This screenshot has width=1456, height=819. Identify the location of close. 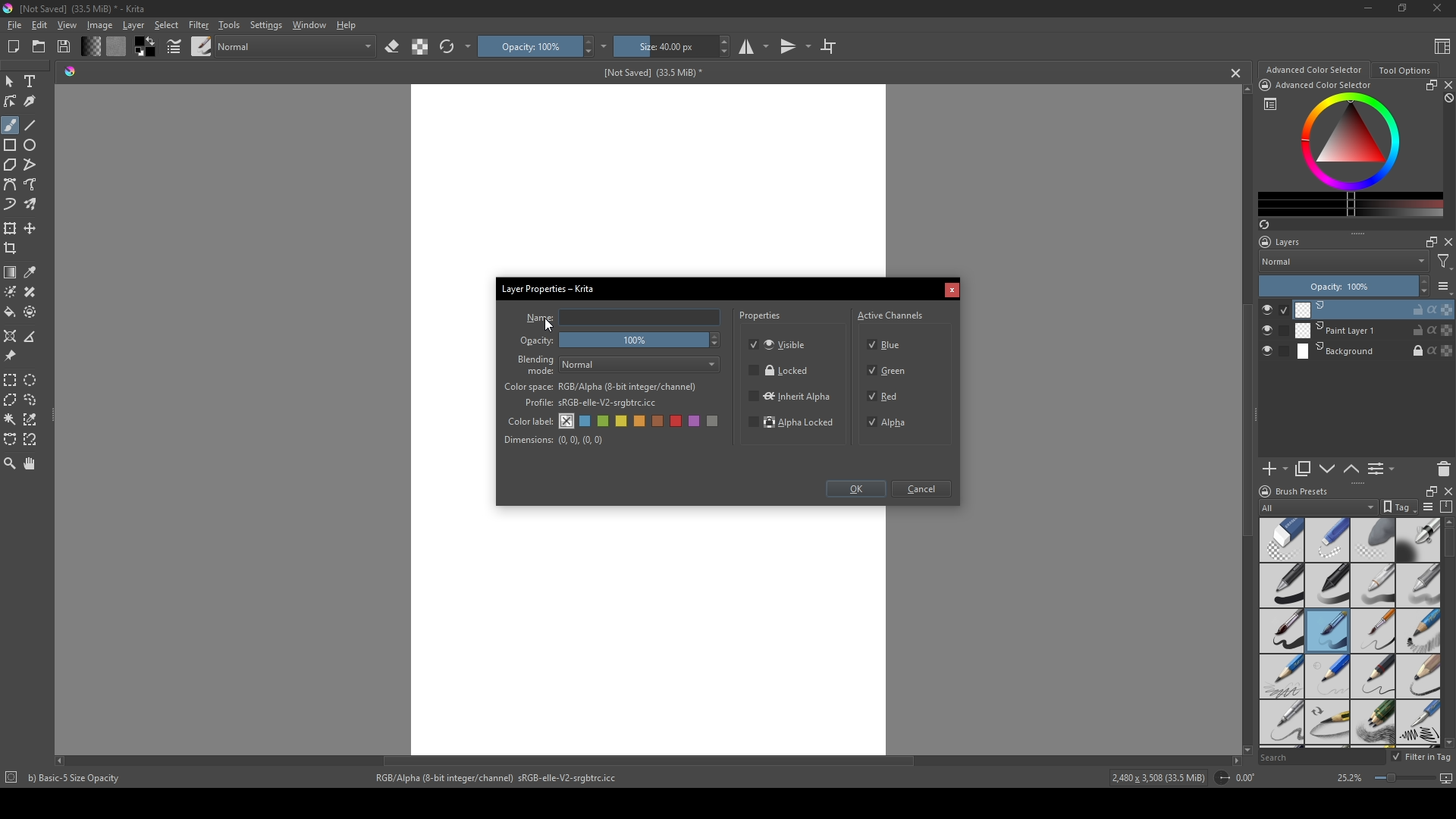
(1447, 242).